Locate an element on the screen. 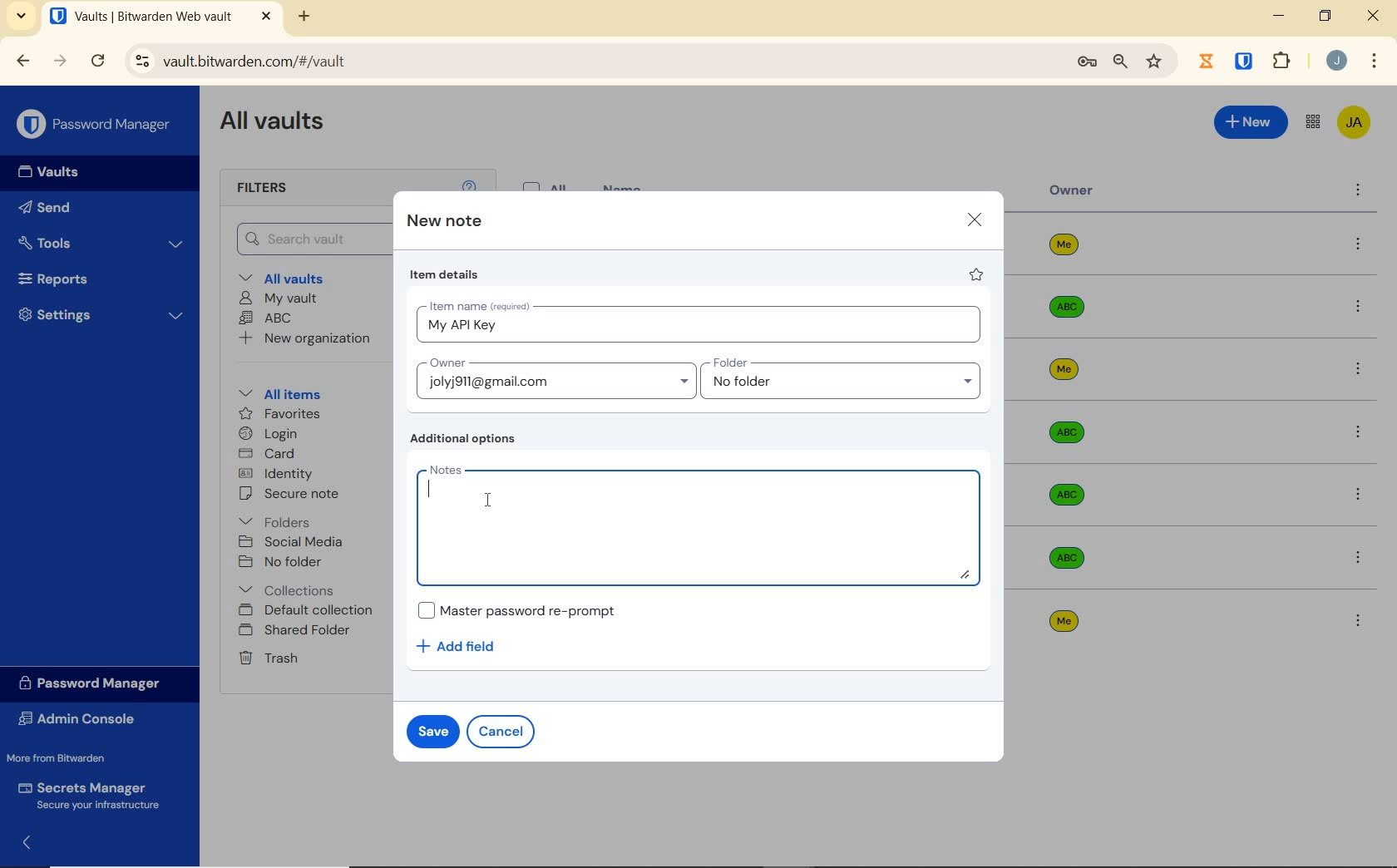 The height and width of the screenshot is (868, 1397). folders is located at coordinates (277, 522).